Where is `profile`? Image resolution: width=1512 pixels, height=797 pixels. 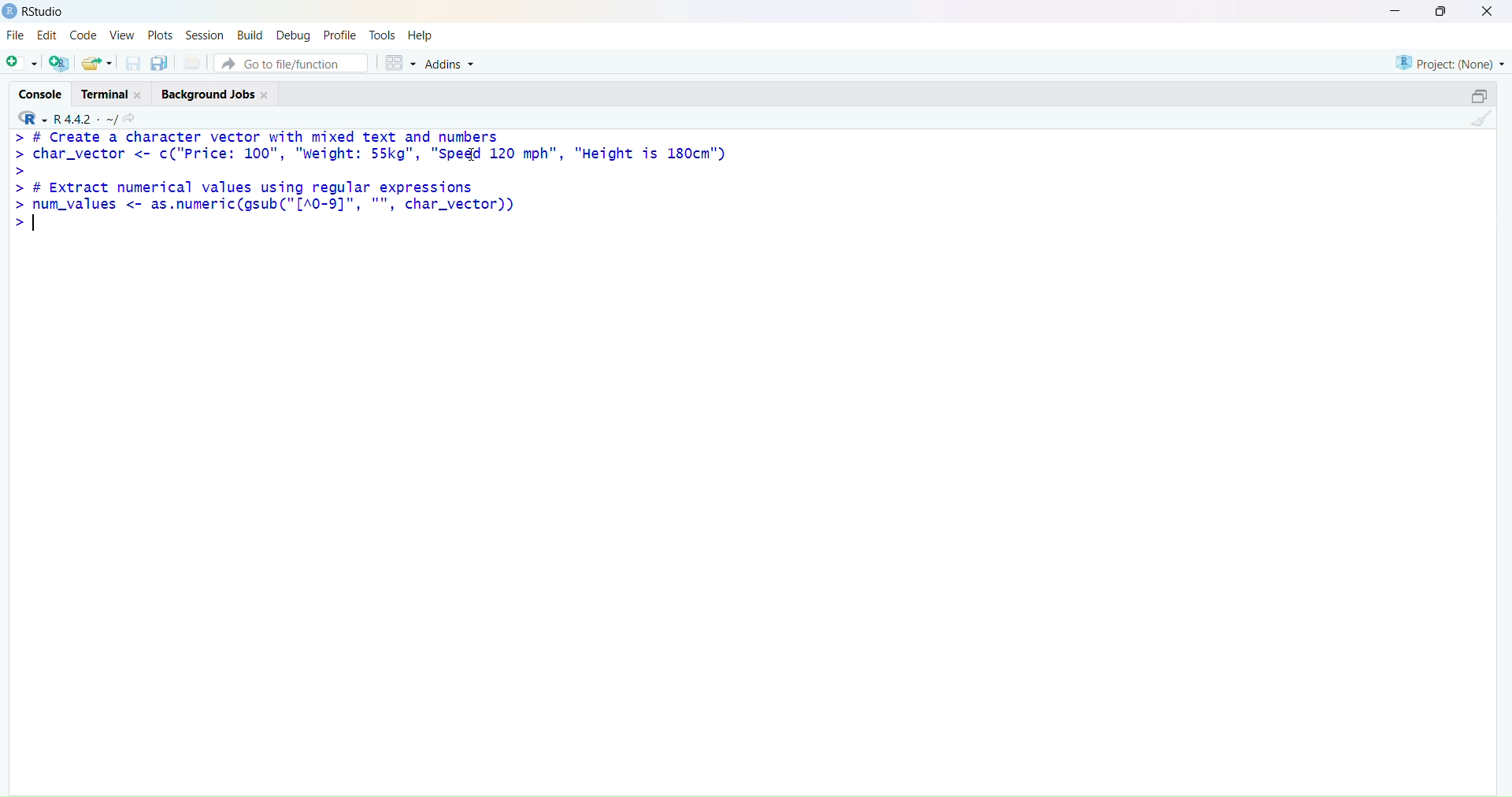
profile is located at coordinates (340, 36).